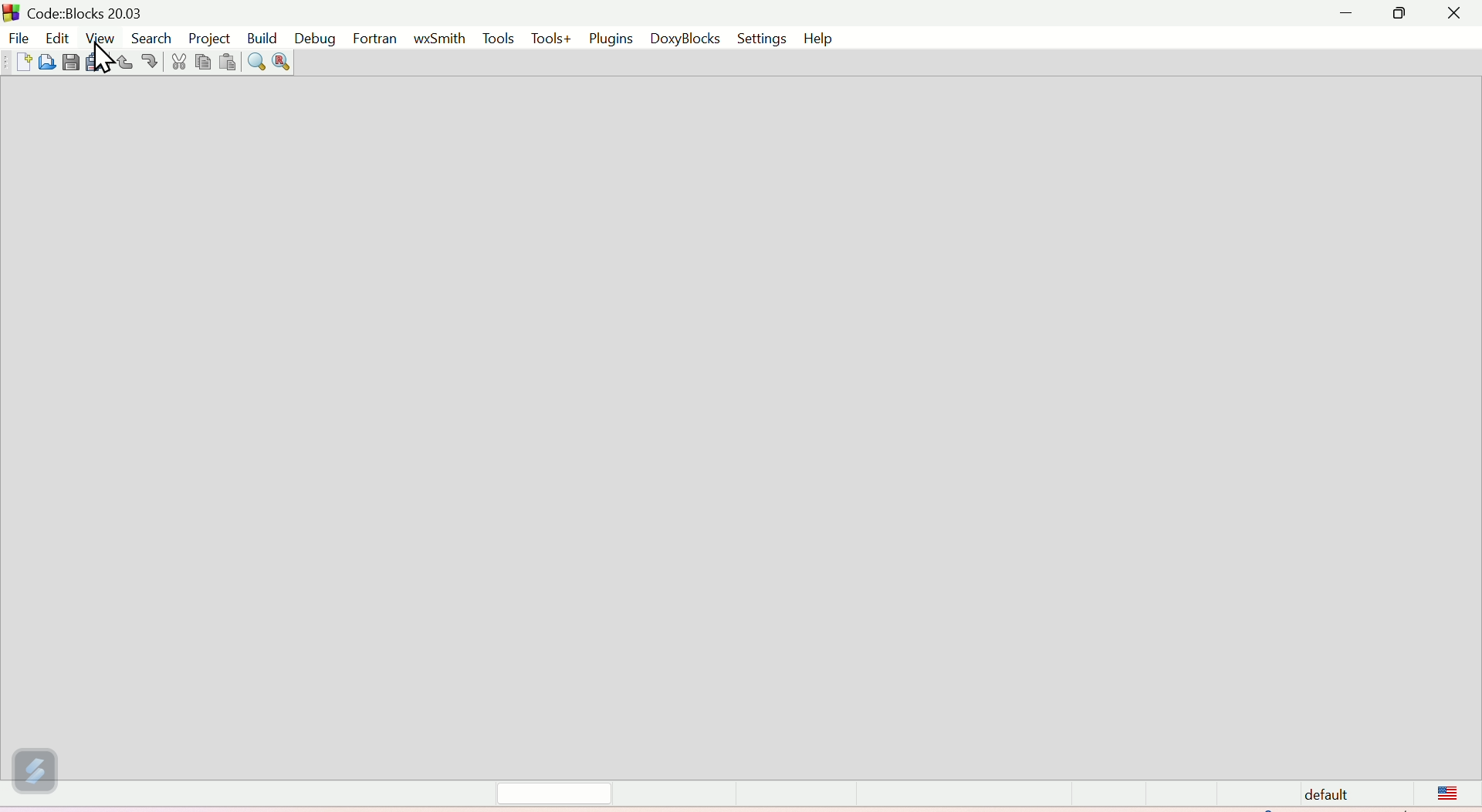 Image resolution: width=1482 pixels, height=812 pixels. I want to click on , so click(97, 36).